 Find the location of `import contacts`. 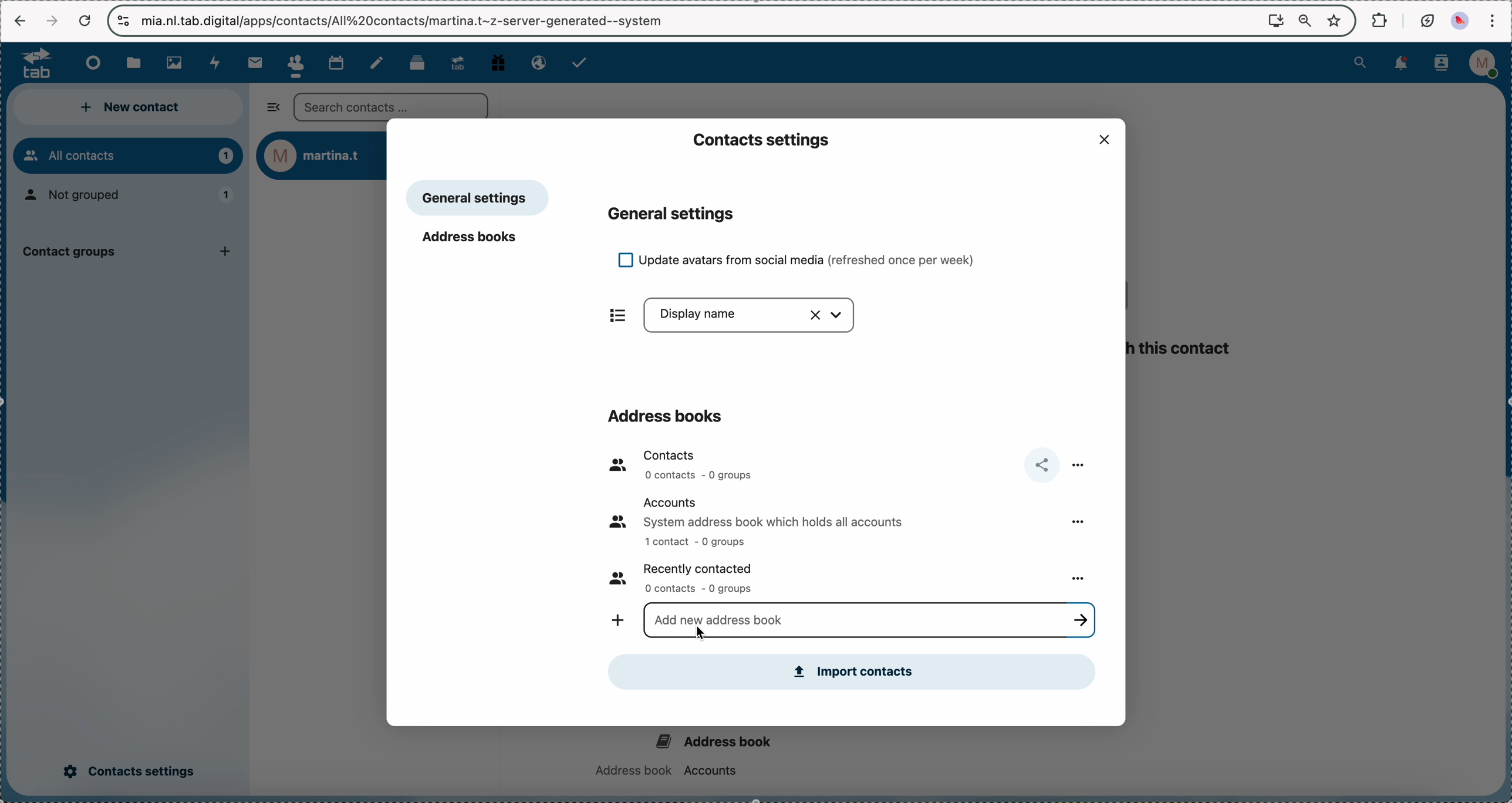

import contacts is located at coordinates (852, 671).